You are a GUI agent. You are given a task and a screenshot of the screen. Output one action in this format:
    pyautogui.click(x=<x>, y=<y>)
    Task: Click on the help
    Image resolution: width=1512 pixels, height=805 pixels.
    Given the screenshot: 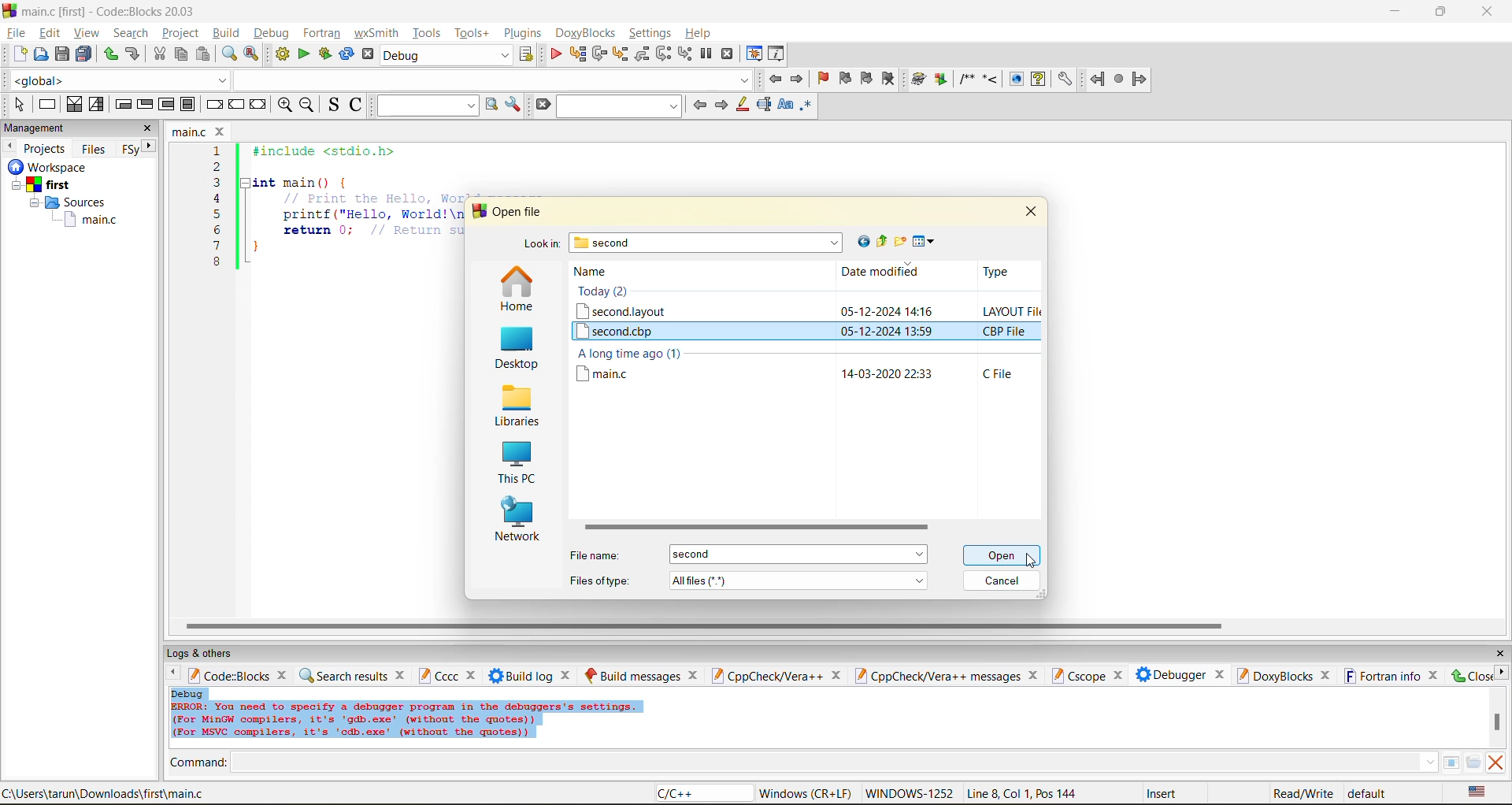 What is the action you would take?
    pyautogui.click(x=1038, y=79)
    